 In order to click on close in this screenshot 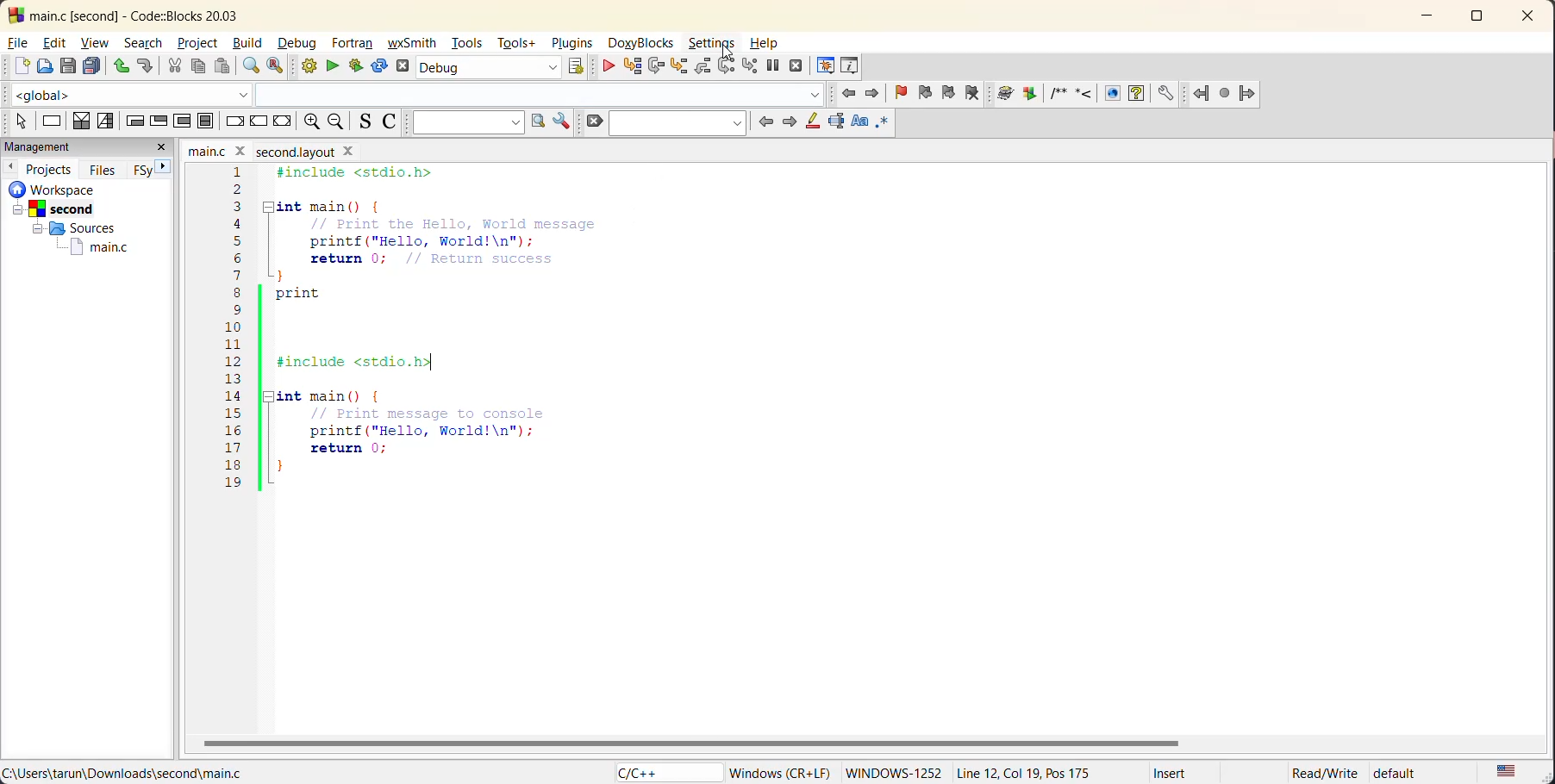, I will do `click(161, 149)`.